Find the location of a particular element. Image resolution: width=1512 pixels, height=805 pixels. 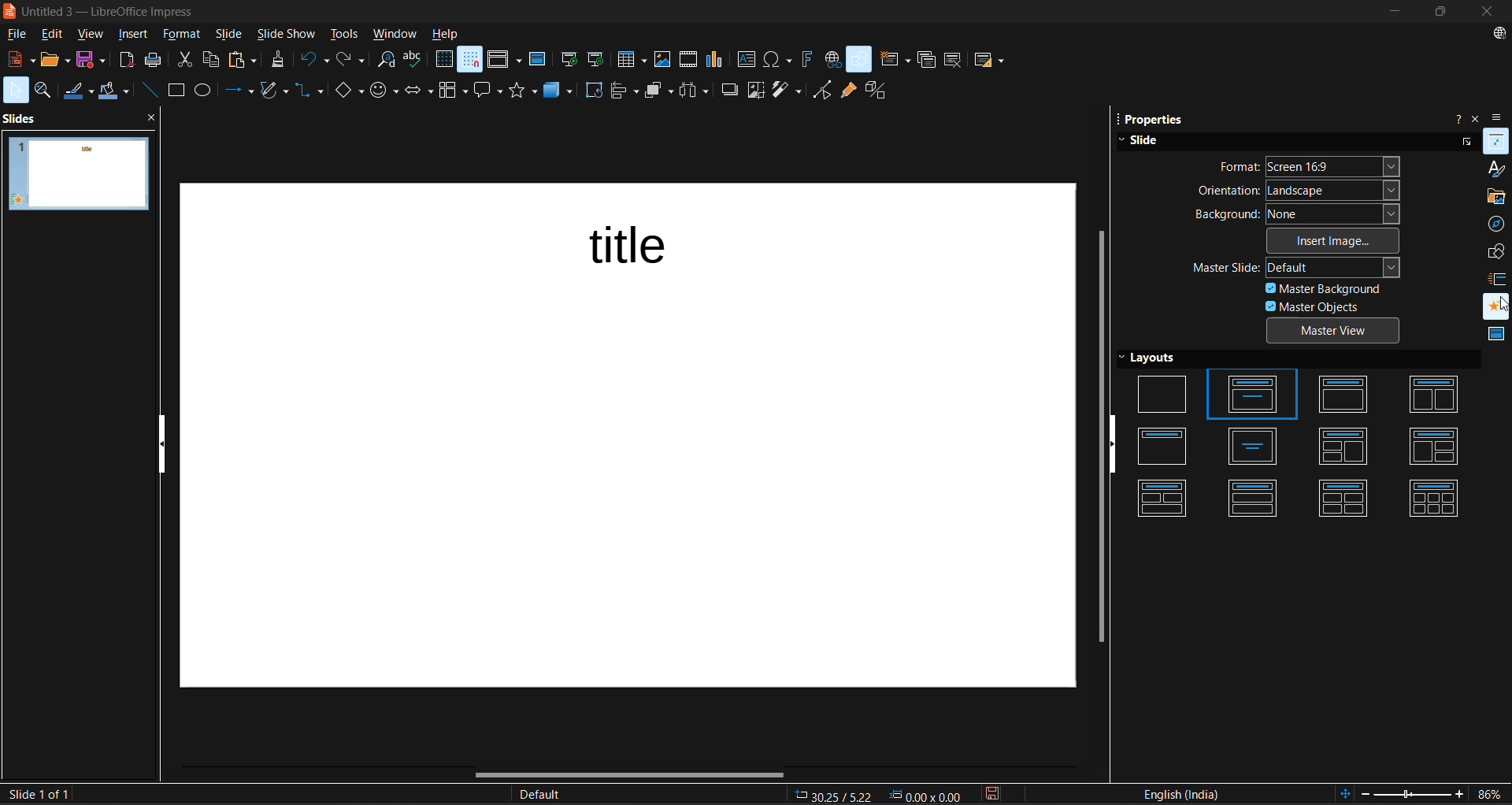

slide details is located at coordinates (37, 794).